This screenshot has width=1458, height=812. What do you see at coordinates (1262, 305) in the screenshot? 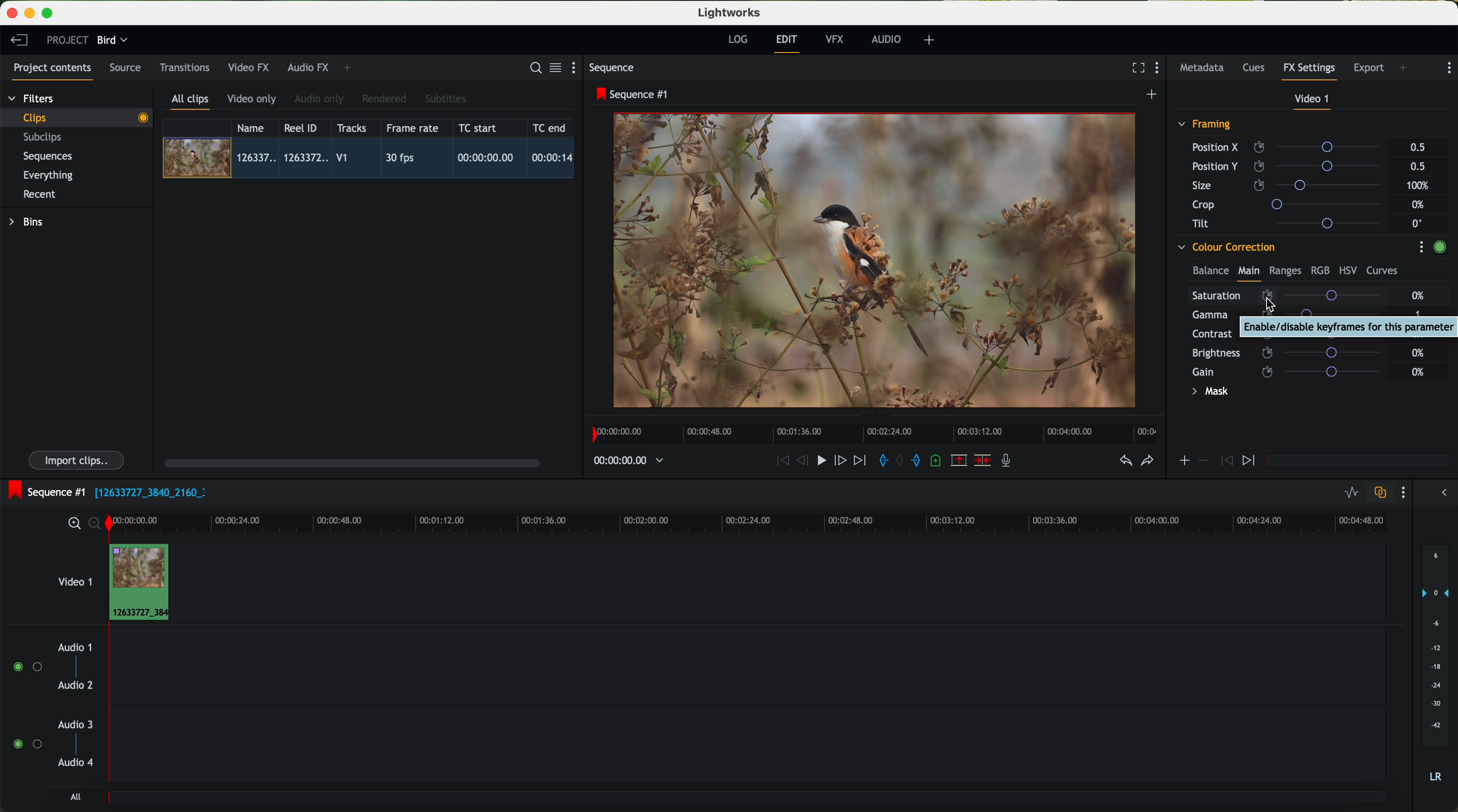
I see `Mouse Cursor` at bounding box center [1262, 305].